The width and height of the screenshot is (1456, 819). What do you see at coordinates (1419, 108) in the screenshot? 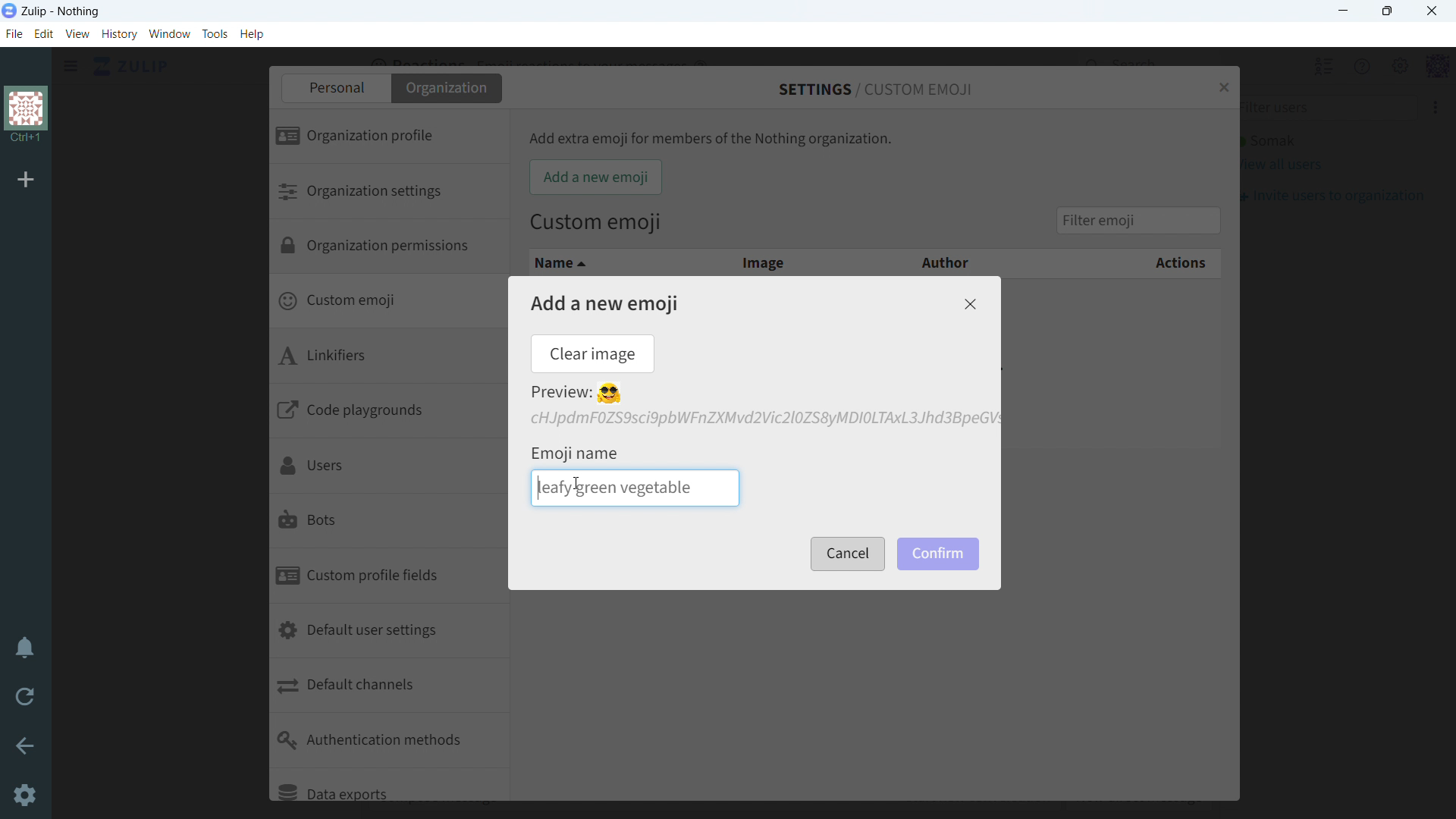
I see `invite users` at bounding box center [1419, 108].